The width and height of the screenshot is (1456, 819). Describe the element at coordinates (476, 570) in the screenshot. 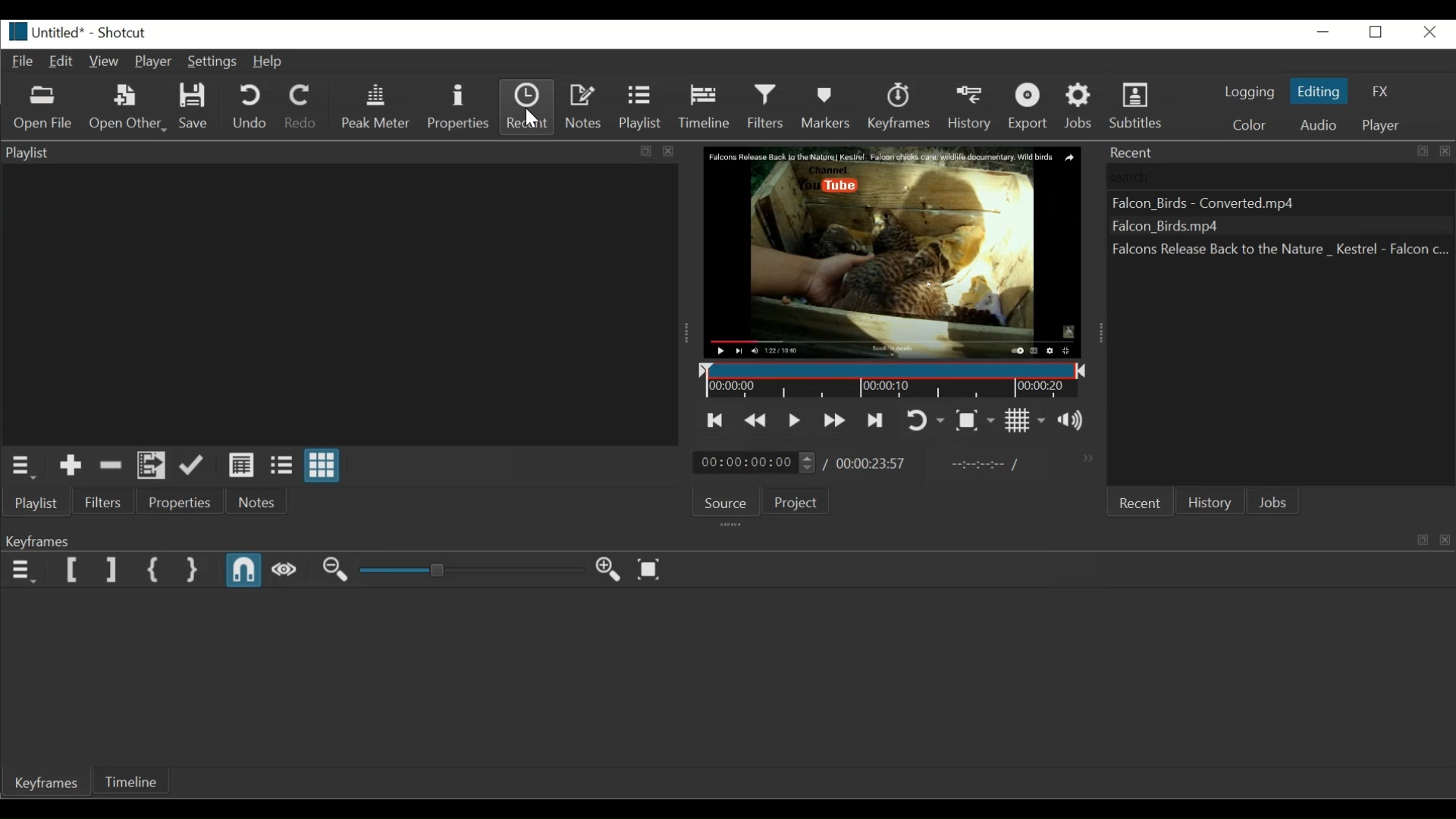

I see `Adjust Zoom Keyframe` at that location.